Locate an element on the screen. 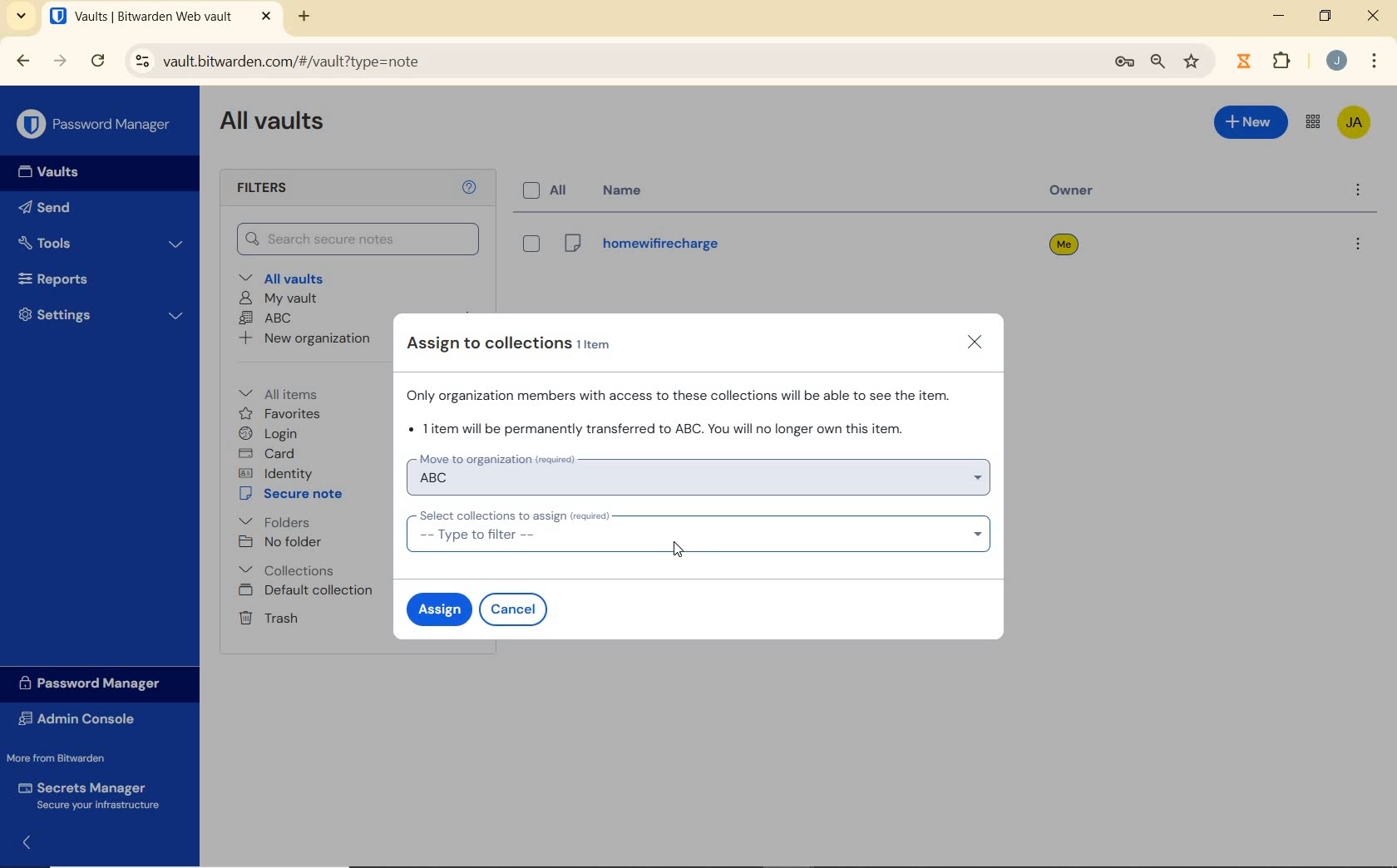 The image size is (1397, 868). Password Manager is located at coordinates (95, 125).